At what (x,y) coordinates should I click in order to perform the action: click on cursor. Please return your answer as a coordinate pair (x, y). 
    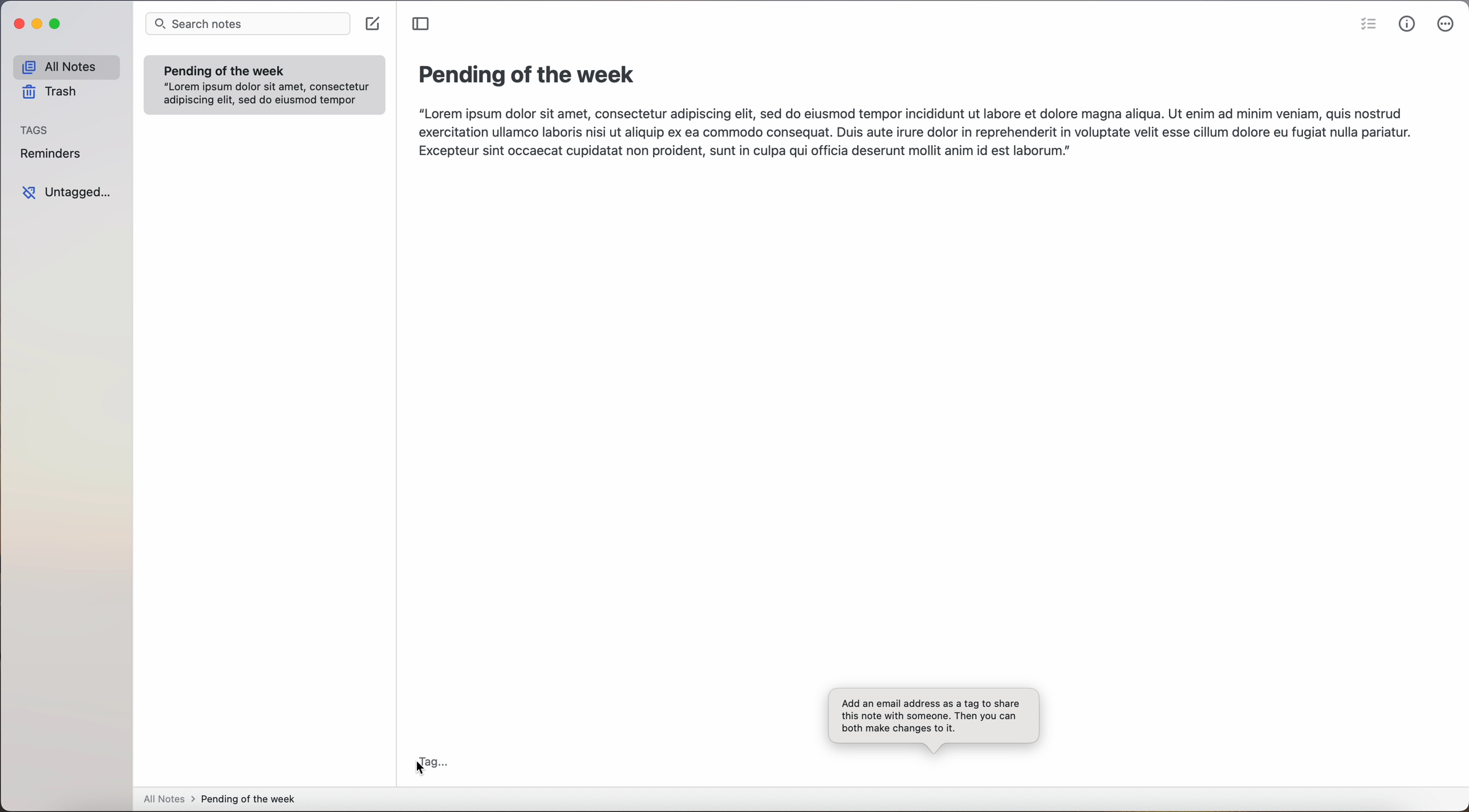
    Looking at the image, I should click on (419, 770).